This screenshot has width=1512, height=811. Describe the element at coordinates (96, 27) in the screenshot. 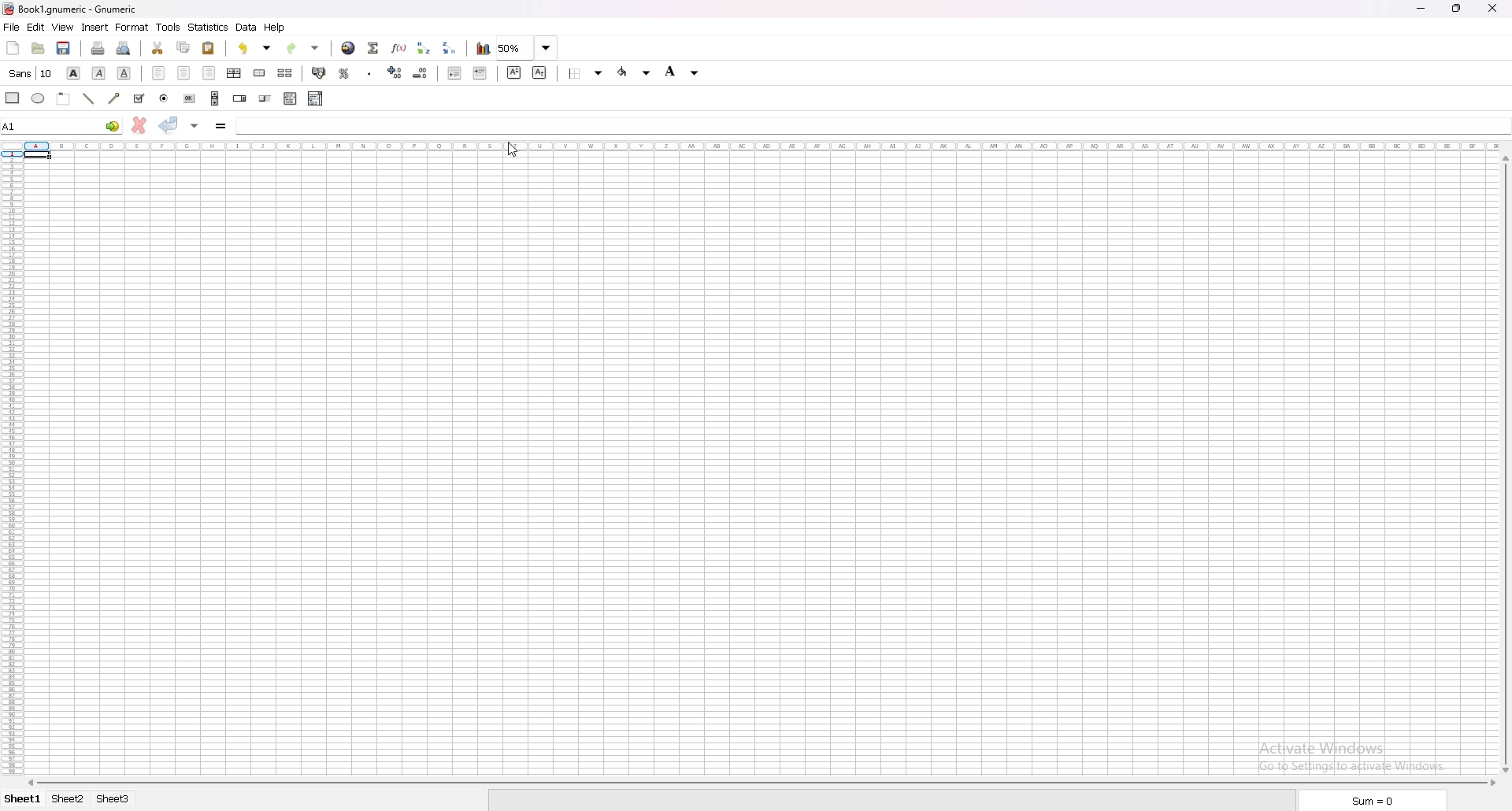

I see `insert` at that location.